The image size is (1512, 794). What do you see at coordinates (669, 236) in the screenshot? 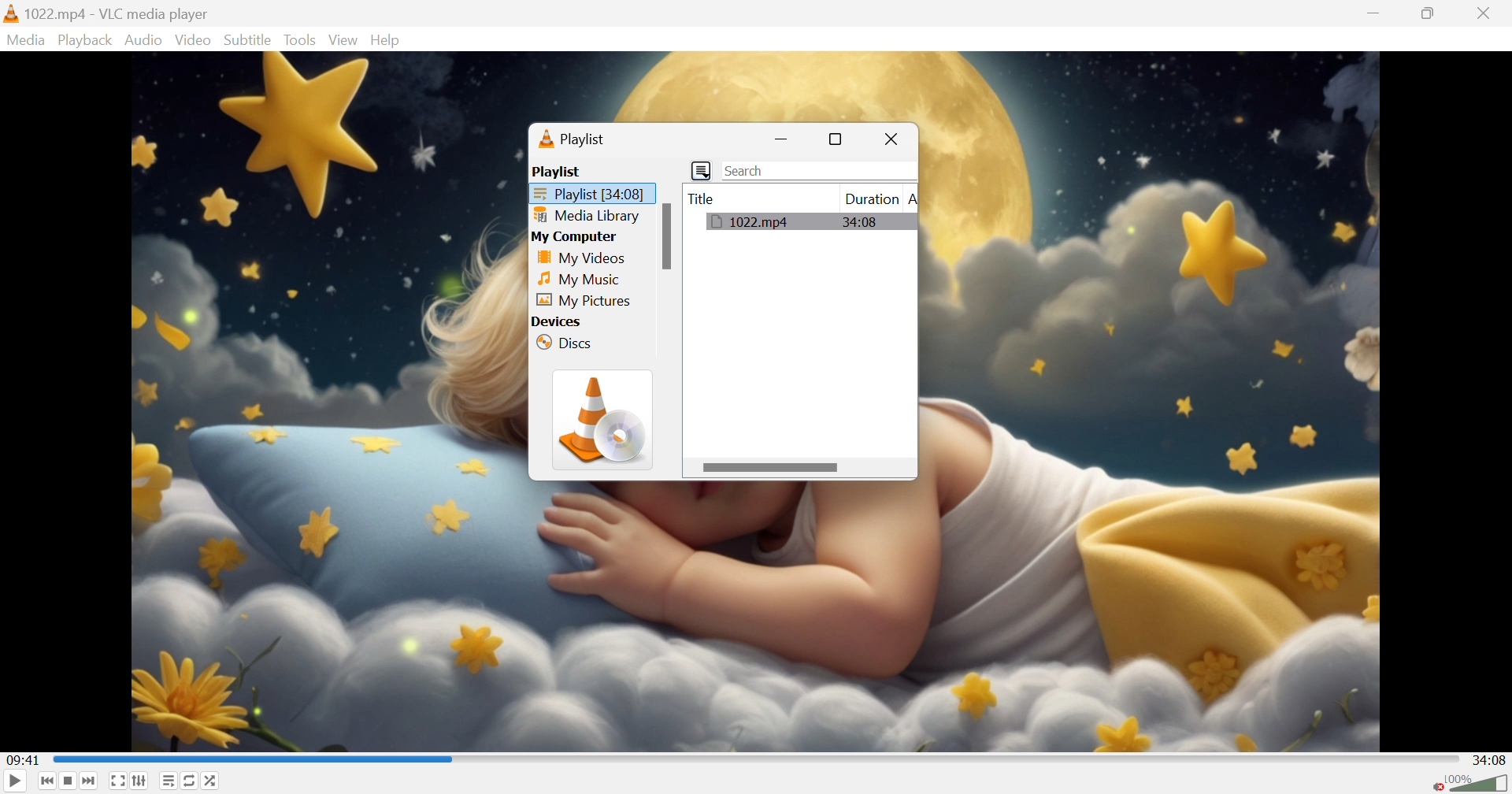
I see `Scroll bar` at bounding box center [669, 236].